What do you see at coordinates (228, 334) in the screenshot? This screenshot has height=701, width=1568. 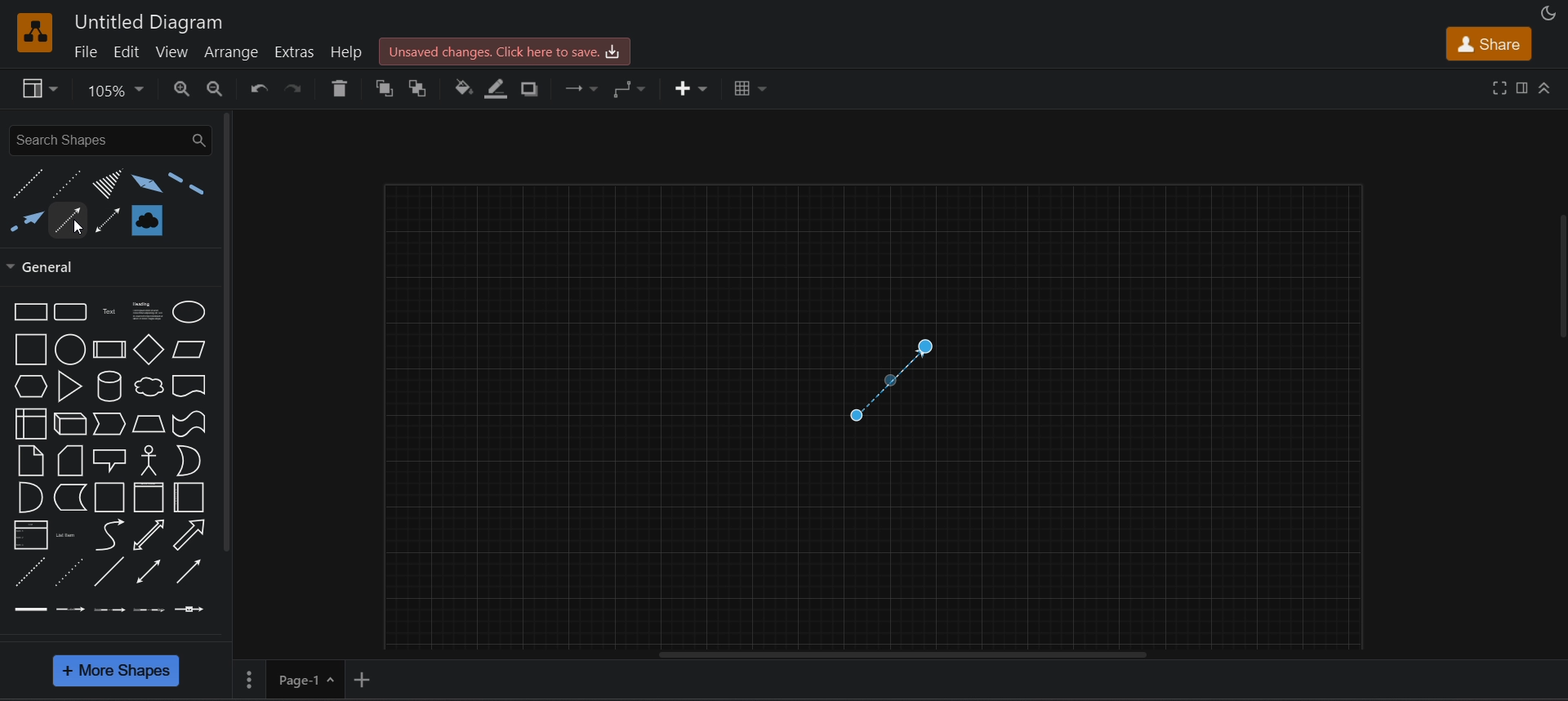 I see `vertical scroll bar` at bounding box center [228, 334].